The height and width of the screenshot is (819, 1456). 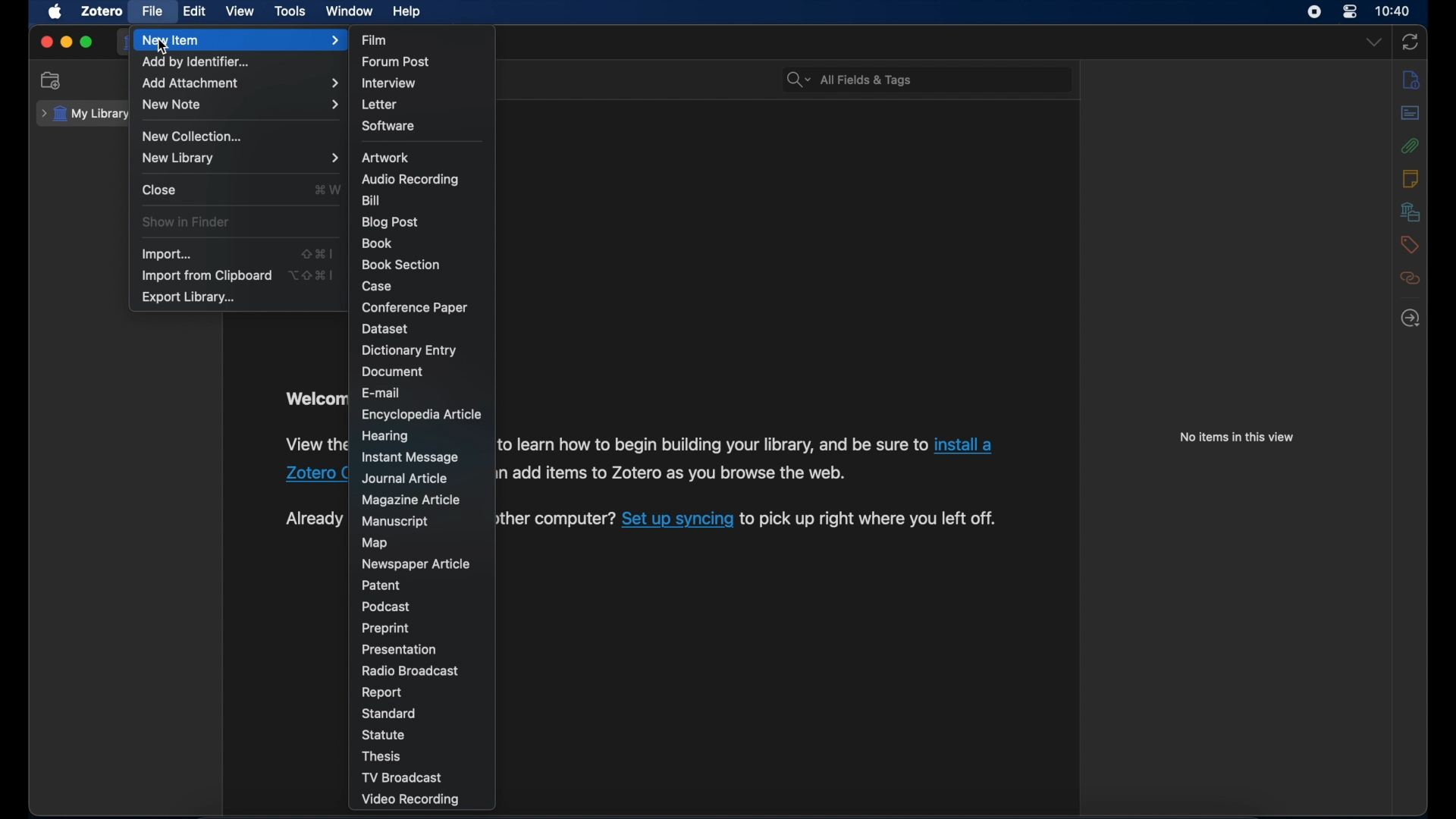 I want to click on new library, so click(x=240, y=158).